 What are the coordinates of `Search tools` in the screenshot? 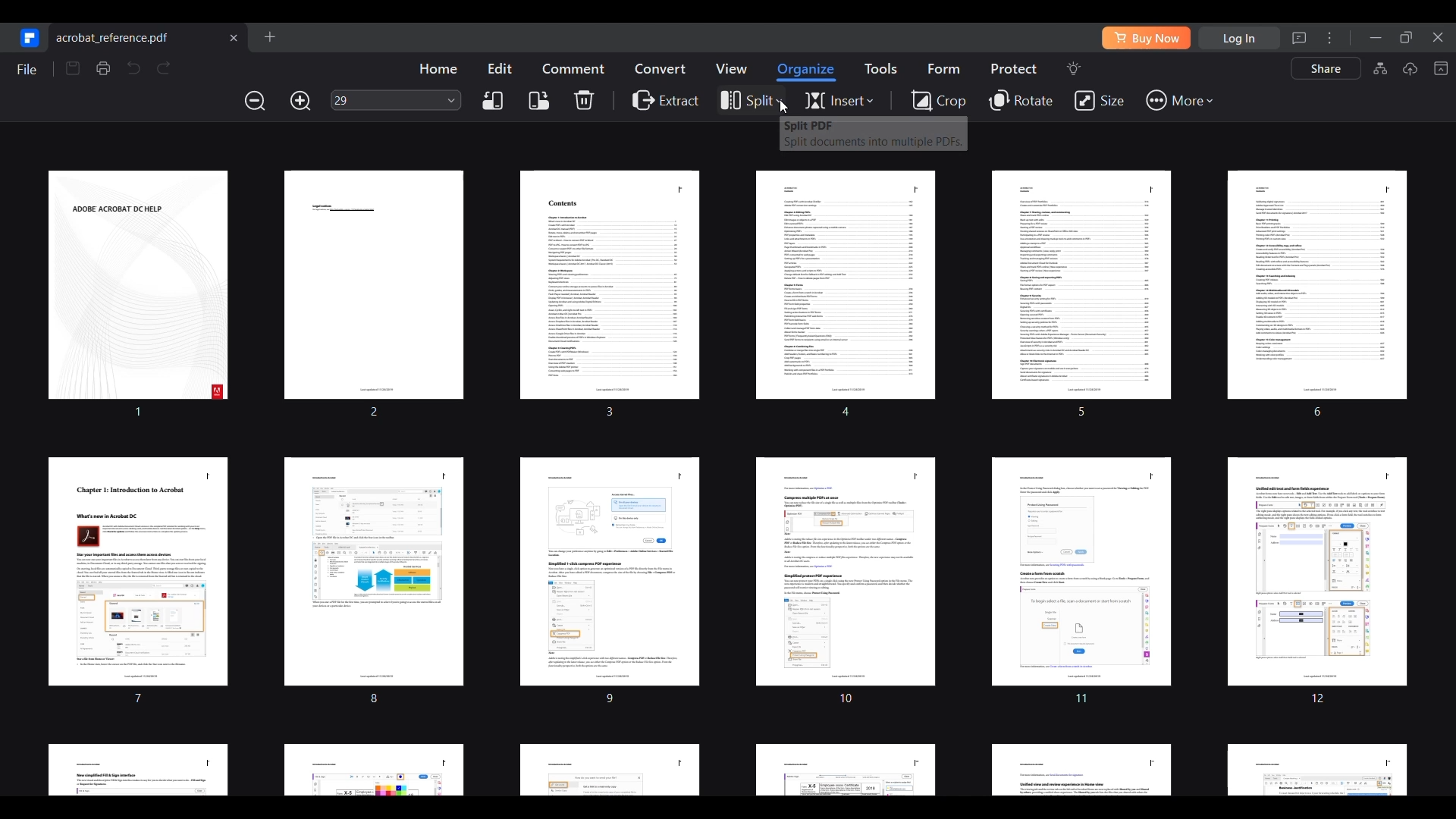 It's located at (1073, 68).